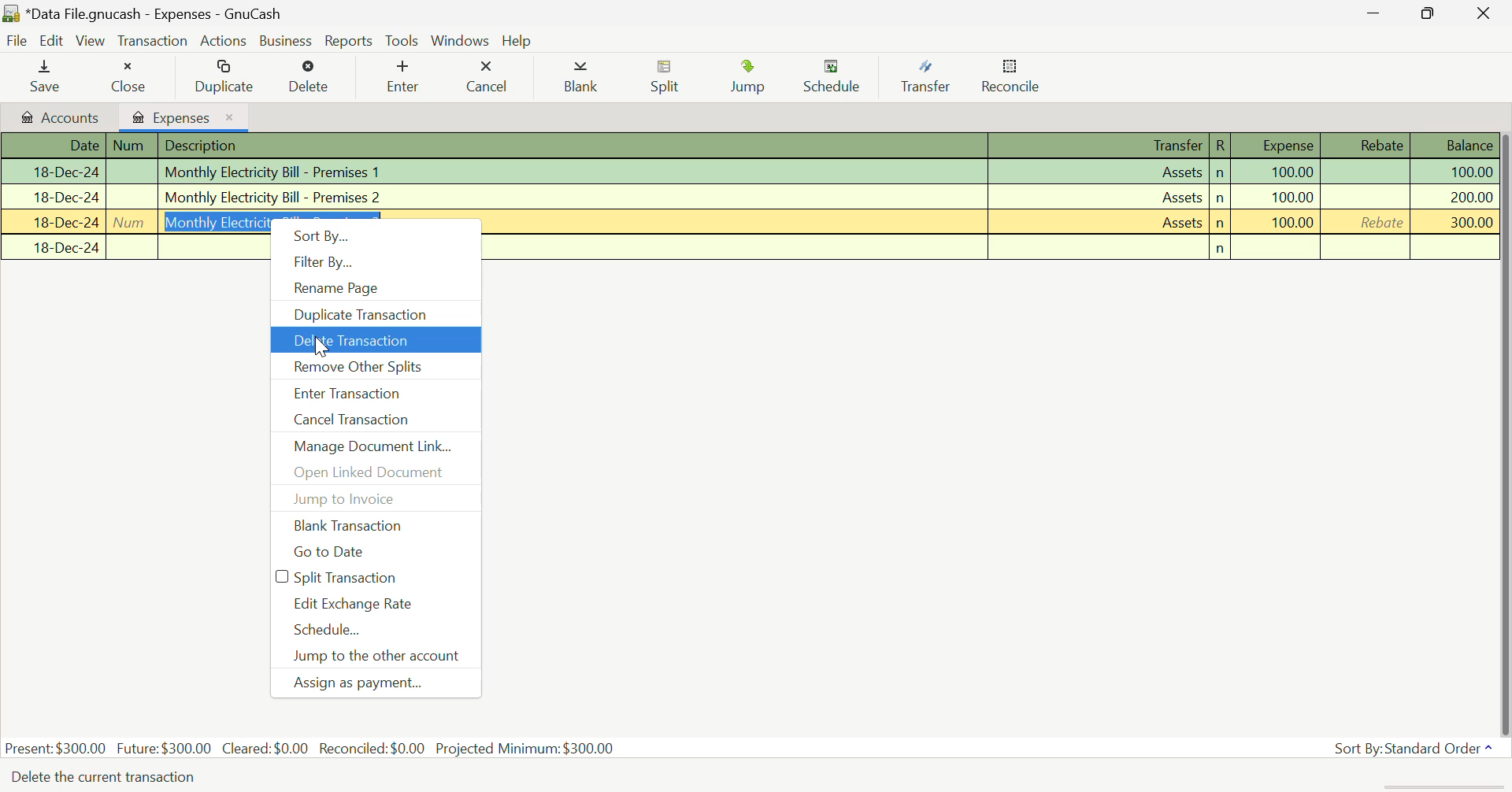 The width and height of the screenshot is (1512, 792). Describe the element at coordinates (750, 173) in the screenshot. I see `Monthly Electricity Bill - Premises 1` at that location.